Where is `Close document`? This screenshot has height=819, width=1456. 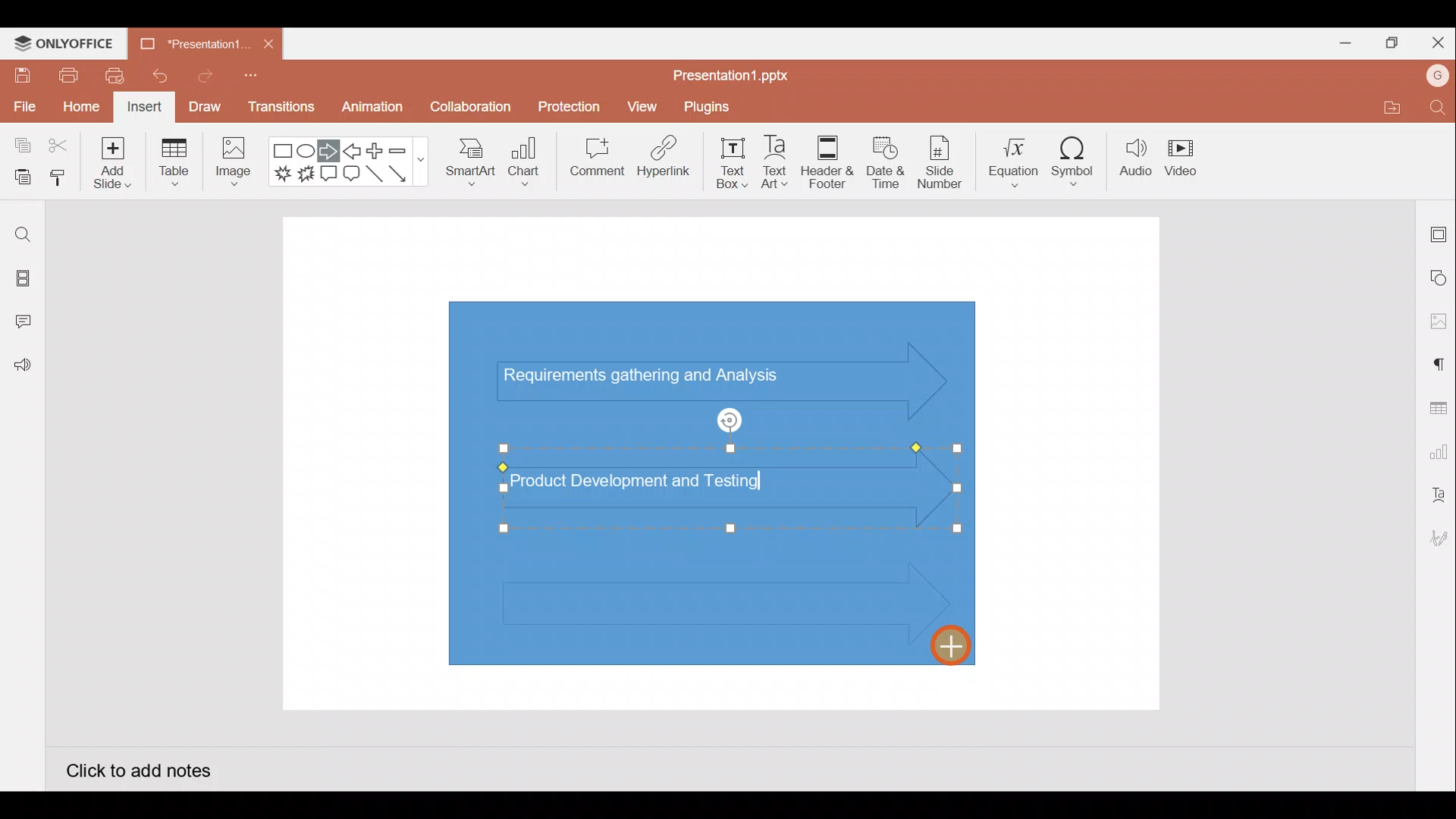
Close document is located at coordinates (268, 40).